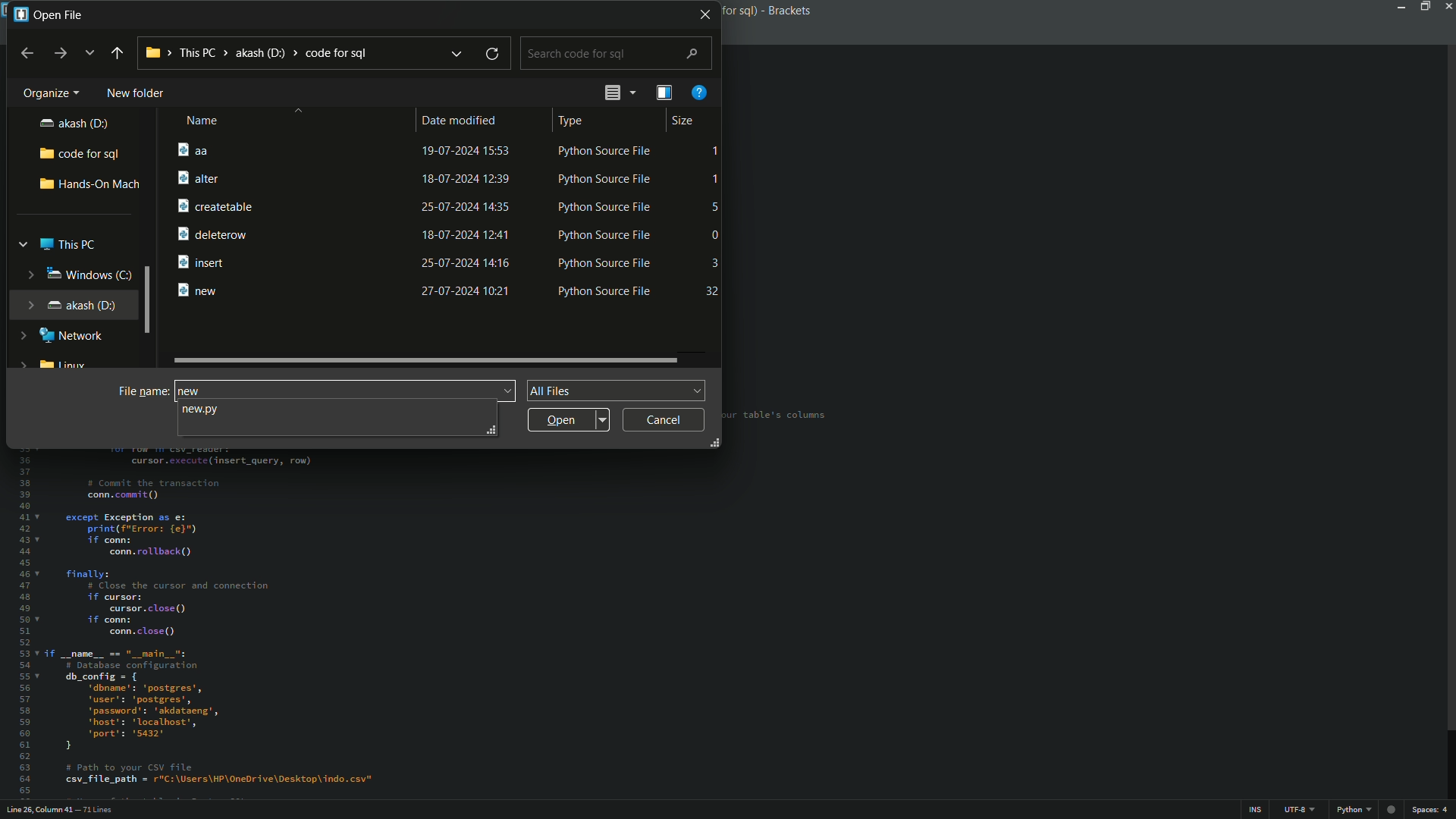 The height and width of the screenshot is (819, 1456). Describe the element at coordinates (1424, 6) in the screenshot. I see `maximize` at that location.